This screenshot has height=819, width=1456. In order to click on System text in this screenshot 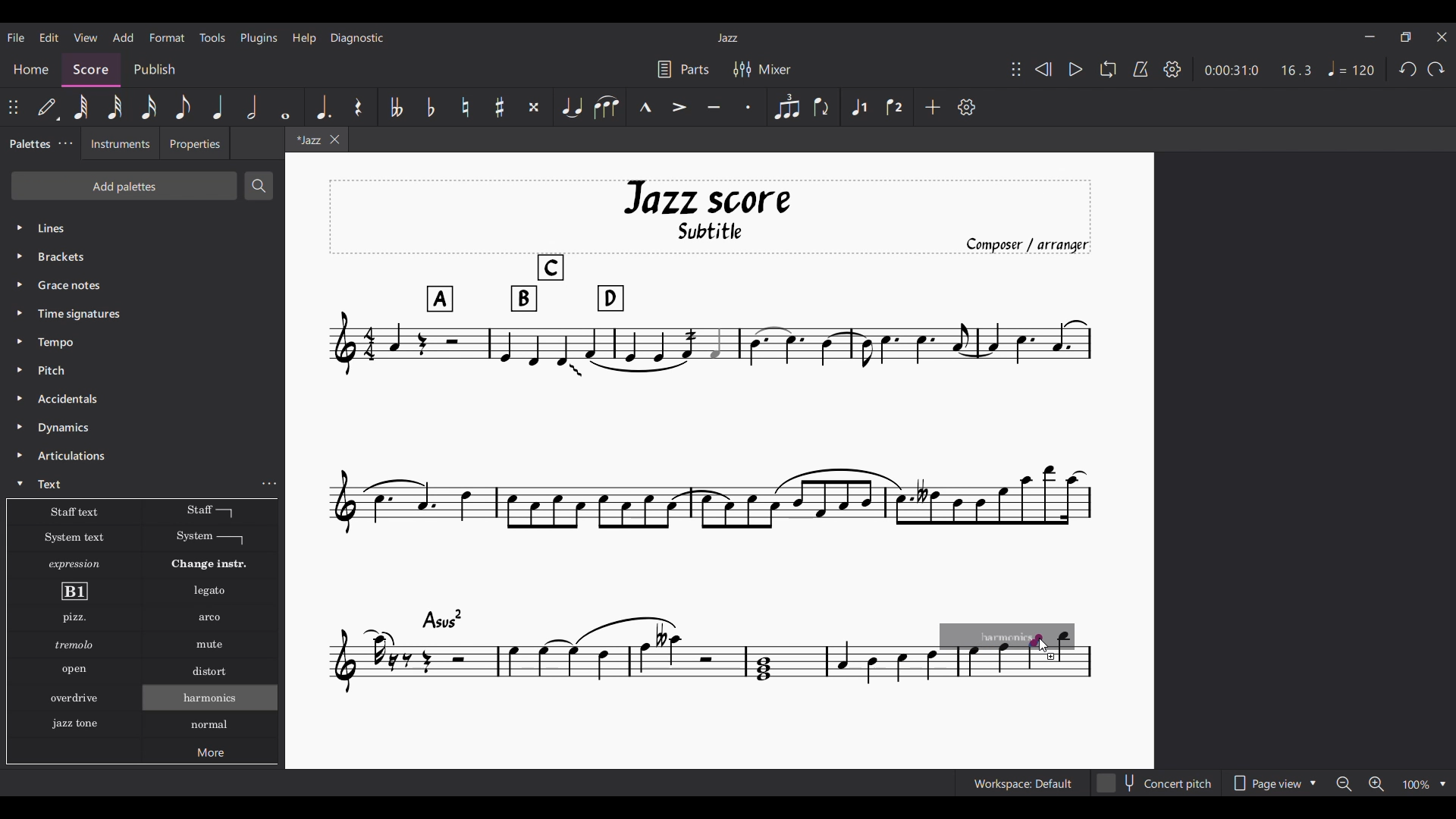, I will do `click(74, 537)`.